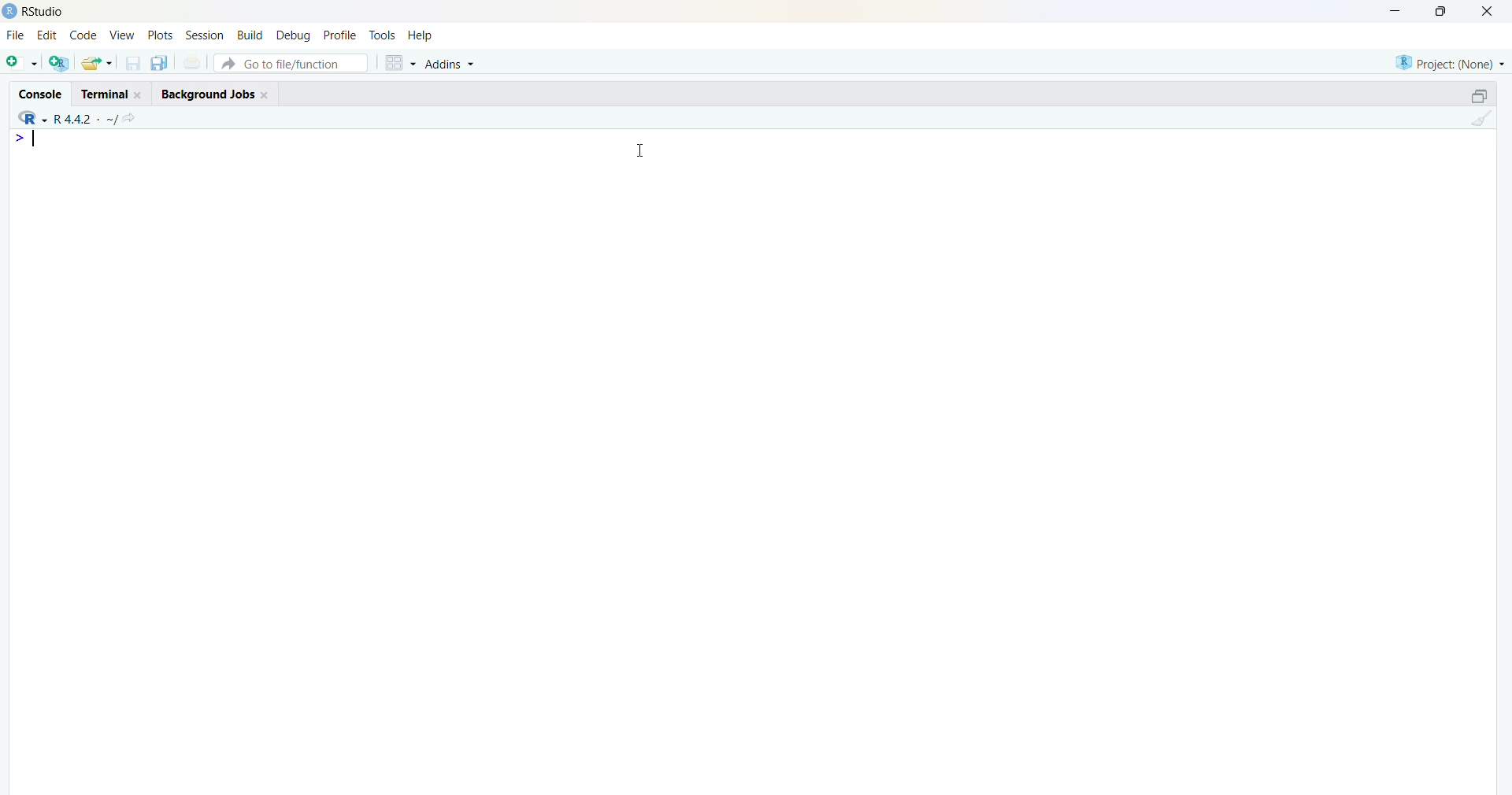  I want to click on profile, so click(339, 36).